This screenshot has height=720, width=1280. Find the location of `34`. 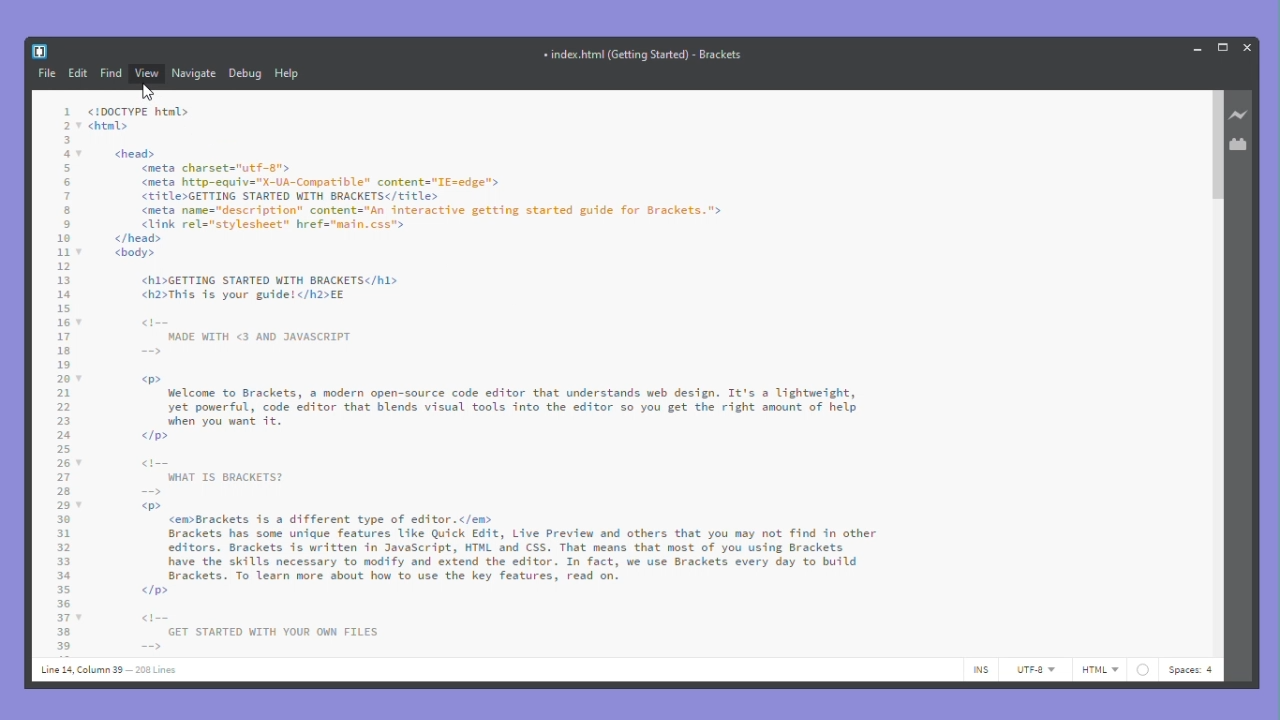

34 is located at coordinates (63, 575).